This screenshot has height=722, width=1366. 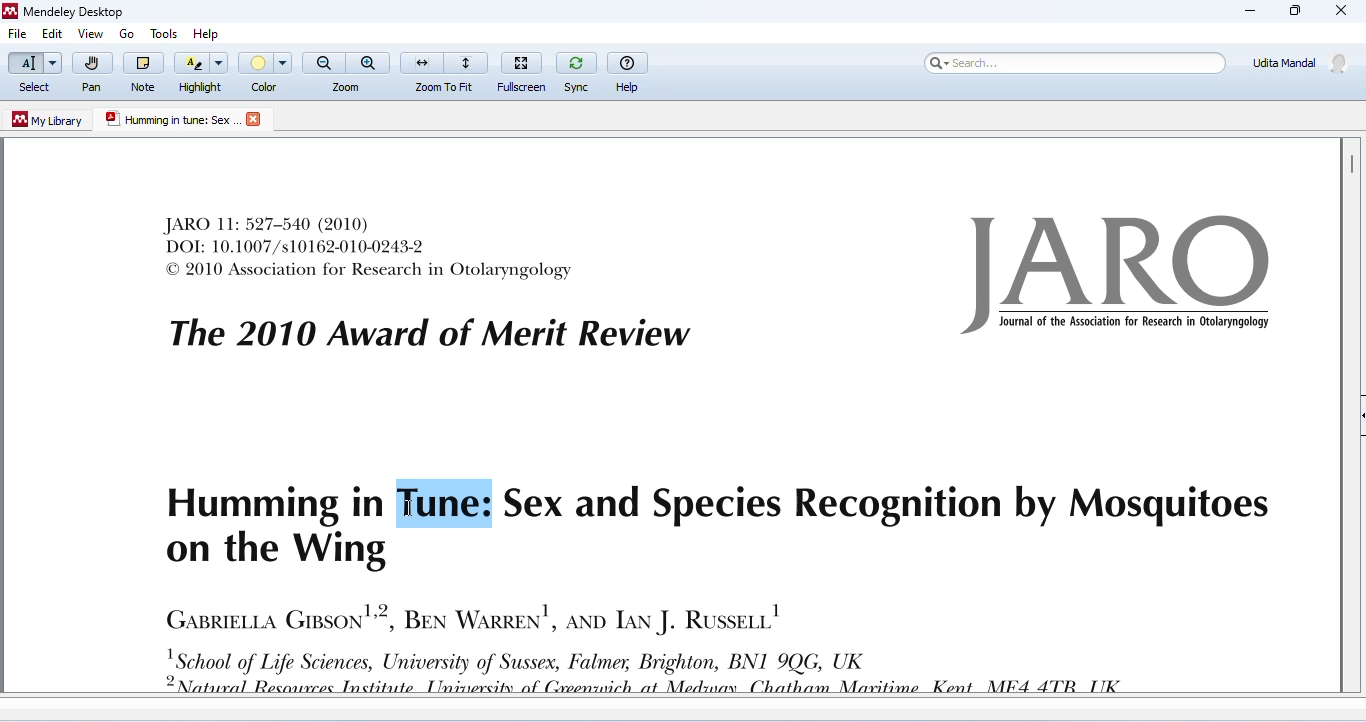 I want to click on my library, so click(x=49, y=120).